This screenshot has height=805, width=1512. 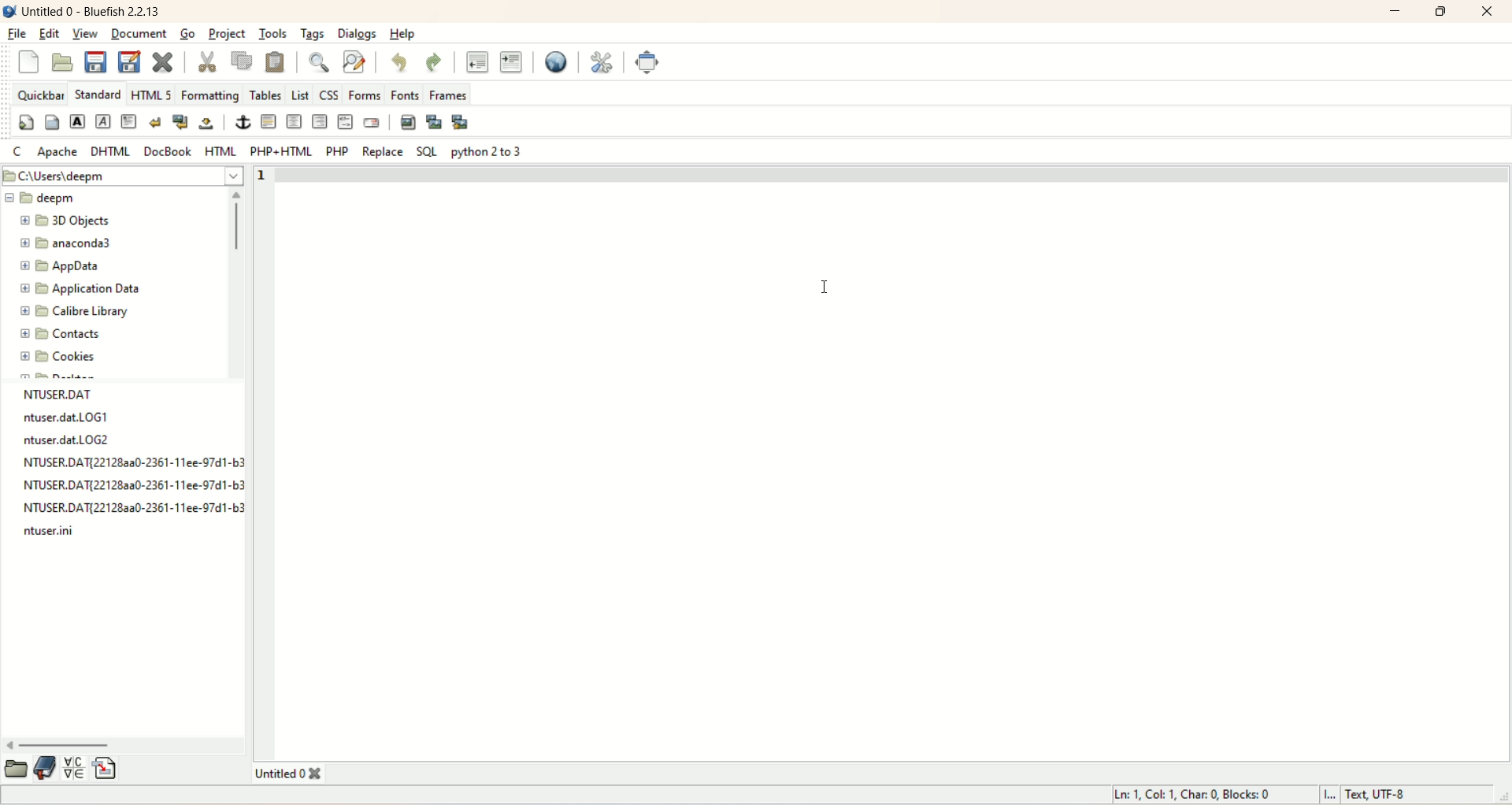 What do you see at coordinates (447, 93) in the screenshot?
I see `frames` at bounding box center [447, 93].